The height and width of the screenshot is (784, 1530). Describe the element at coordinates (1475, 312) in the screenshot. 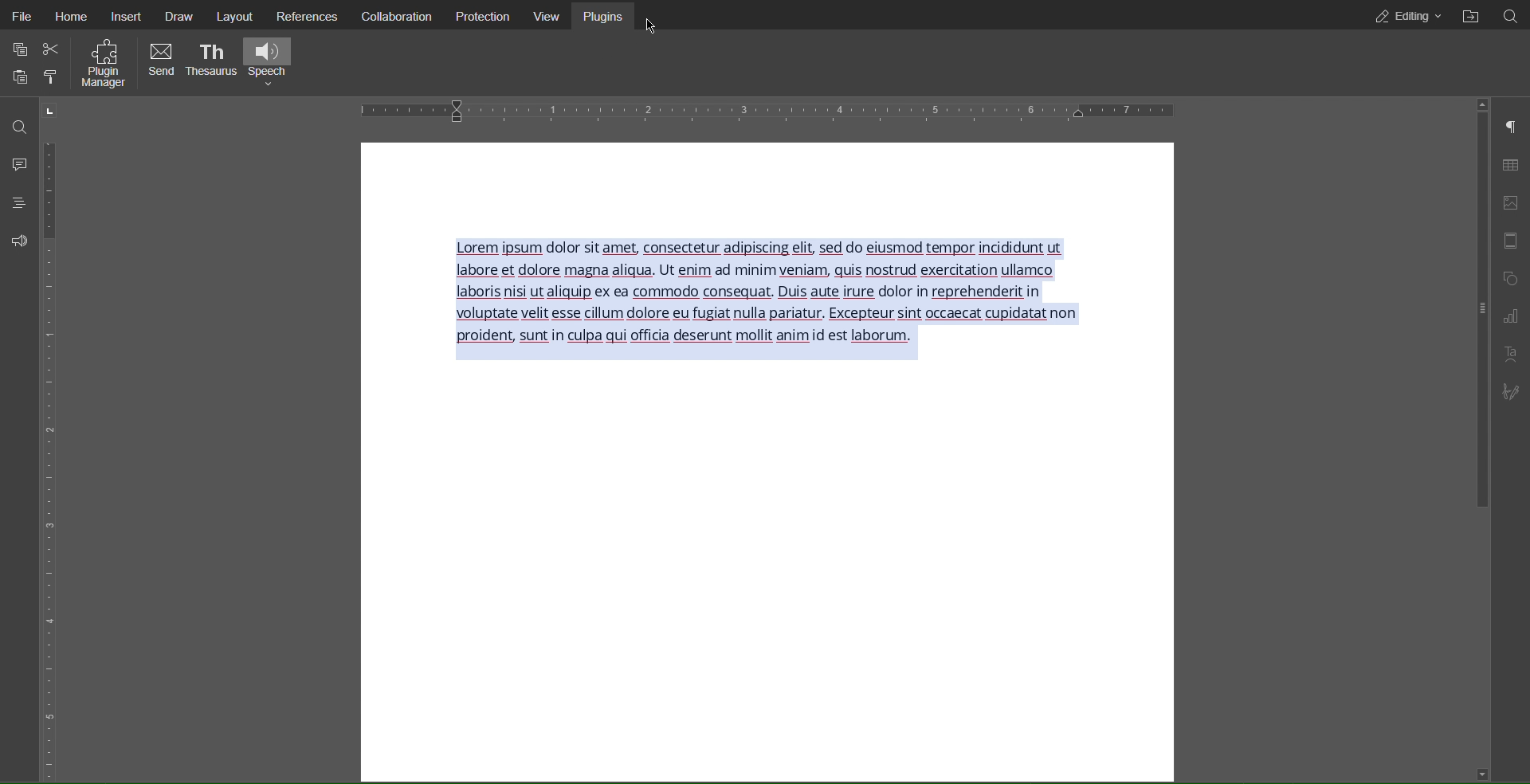

I see `slider` at that location.